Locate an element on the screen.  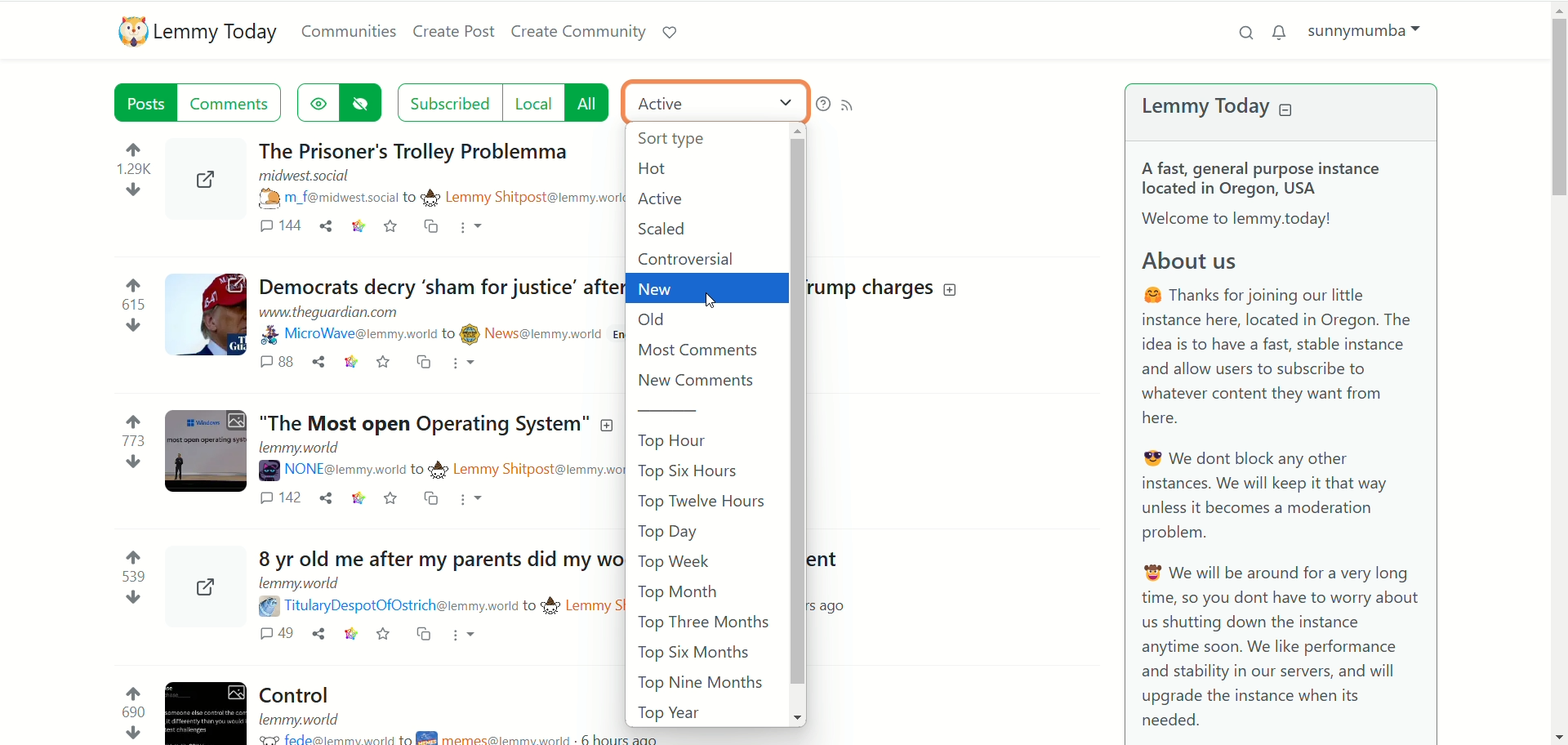
"The Most open Operating System" is located at coordinates (437, 423).